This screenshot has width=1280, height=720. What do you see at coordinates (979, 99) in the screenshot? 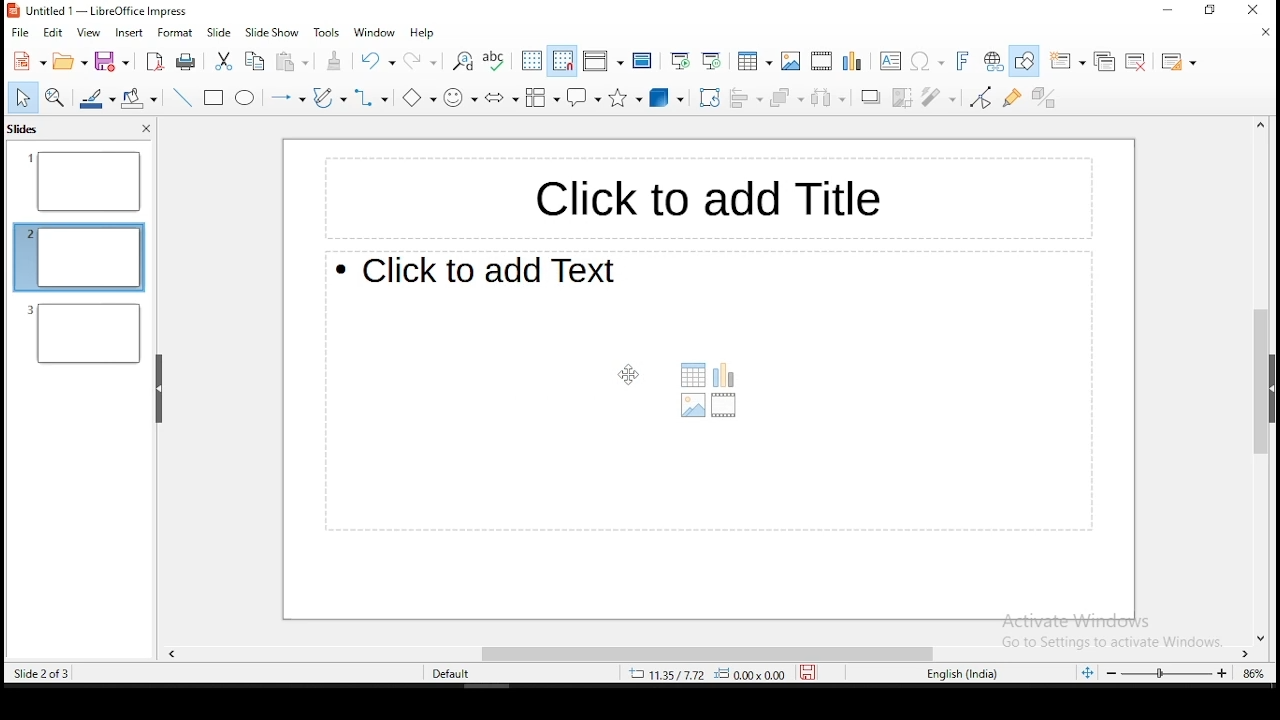
I see `toggle point edit mode` at bounding box center [979, 99].